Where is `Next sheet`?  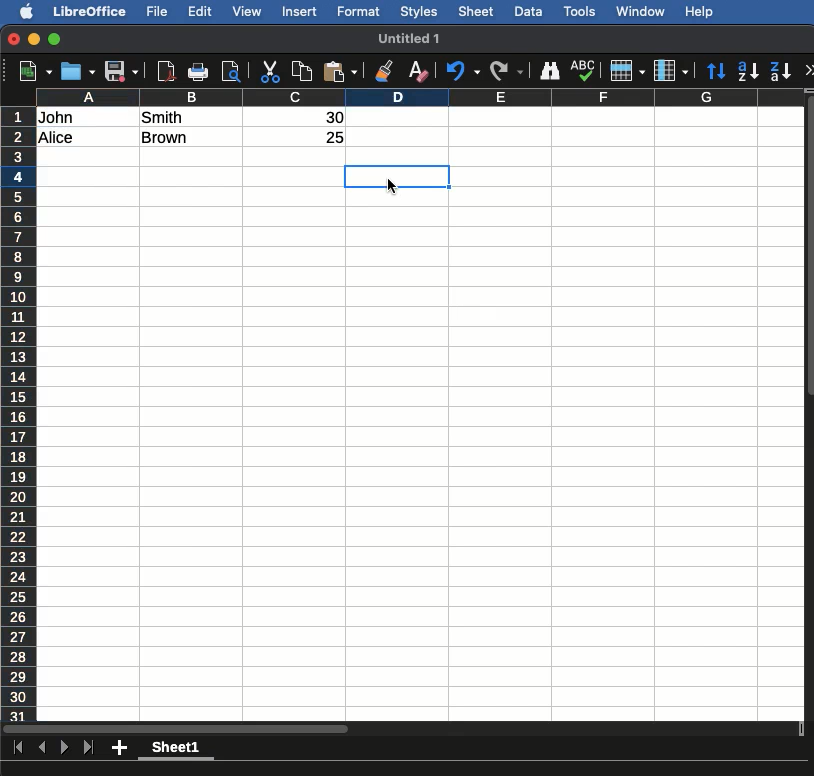
Next sheet is located at coordinates (66, 746).